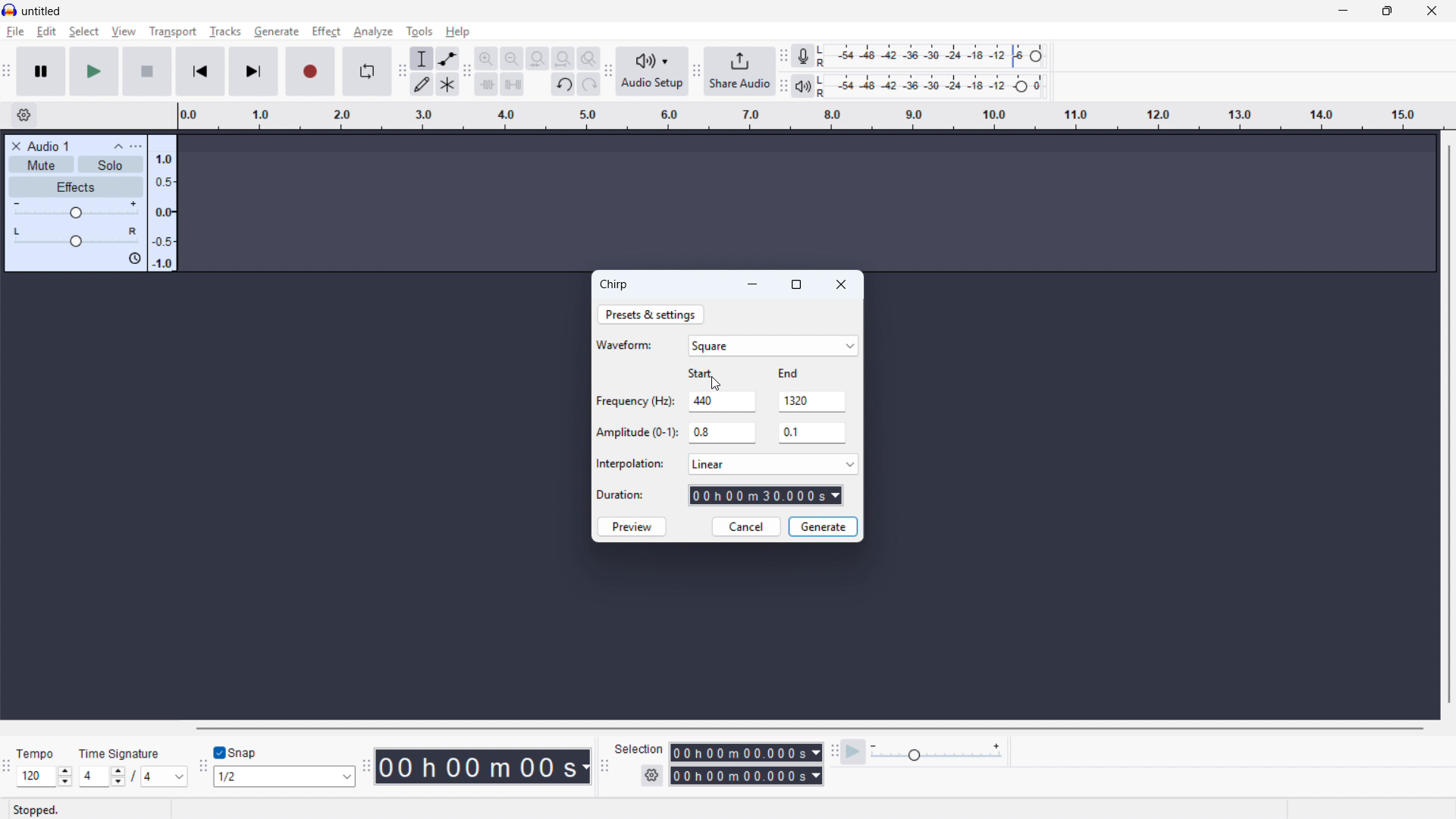  What do you see at coordinates (641, 750) in the screenshot?
I see `Selection` at bounding box center [641, 750].